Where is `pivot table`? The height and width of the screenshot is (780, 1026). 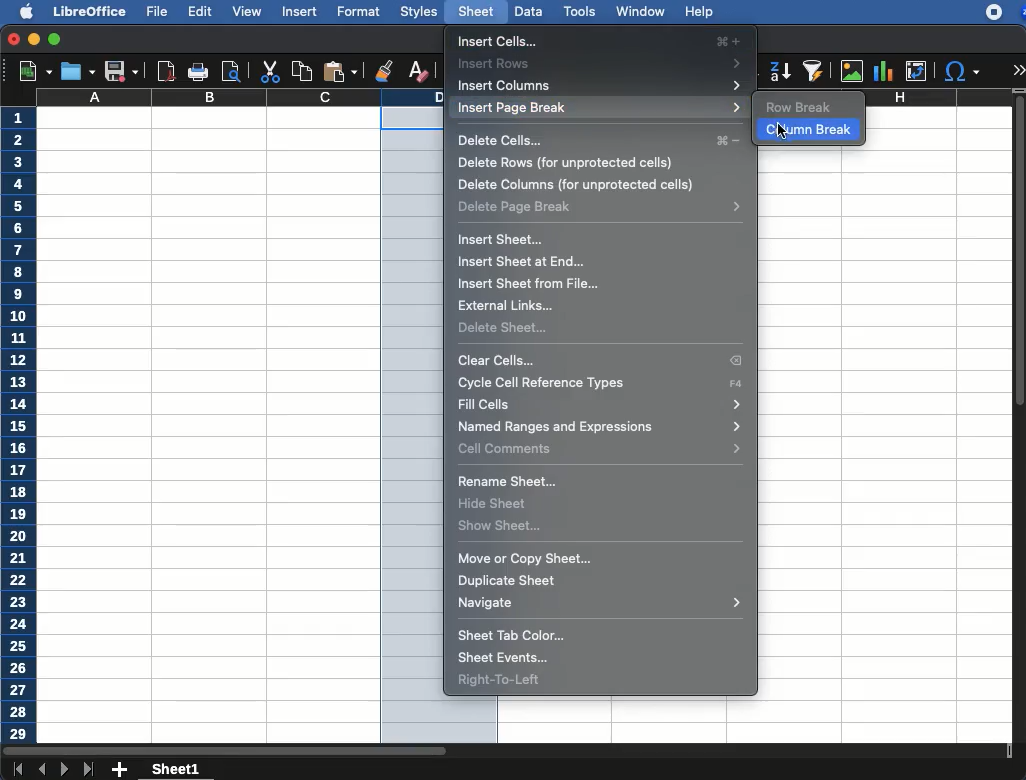 pivot table is located at coordinates (916, 71).